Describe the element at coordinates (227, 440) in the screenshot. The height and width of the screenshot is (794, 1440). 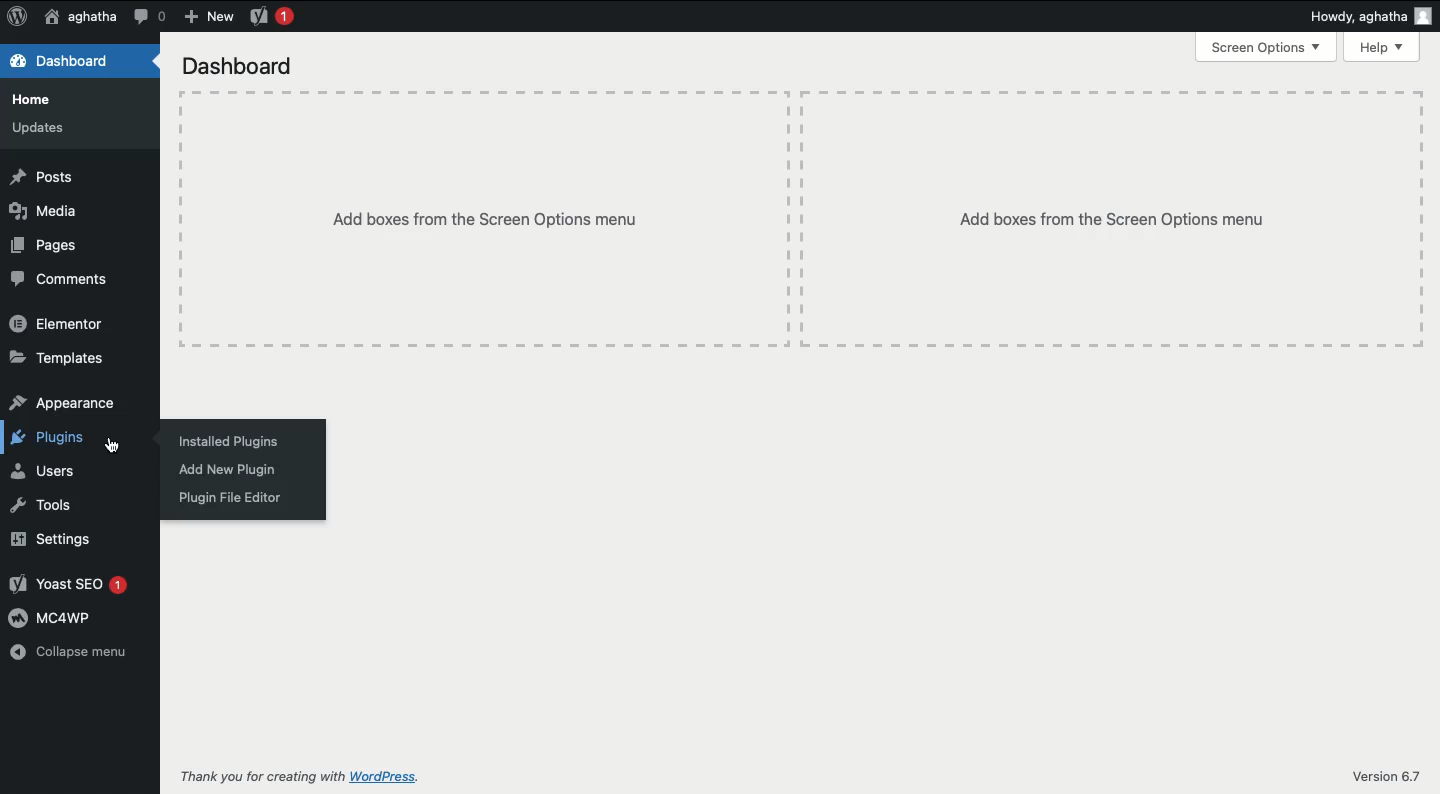
I see `Installed plugins` at that location.